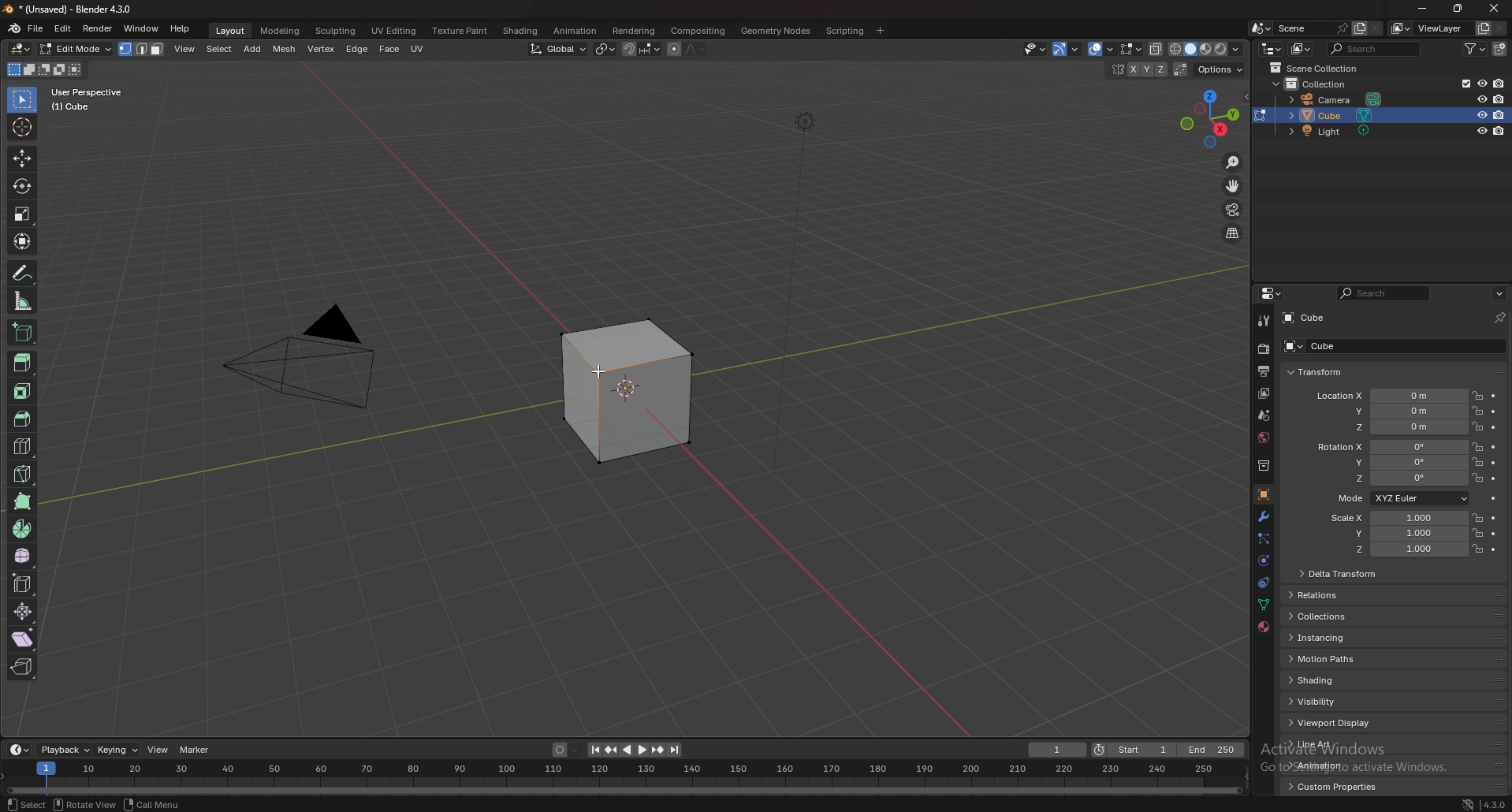 The width and height of the screenshot is (1512, 812). I want to click on hide in viewport, so click(1482, 115).